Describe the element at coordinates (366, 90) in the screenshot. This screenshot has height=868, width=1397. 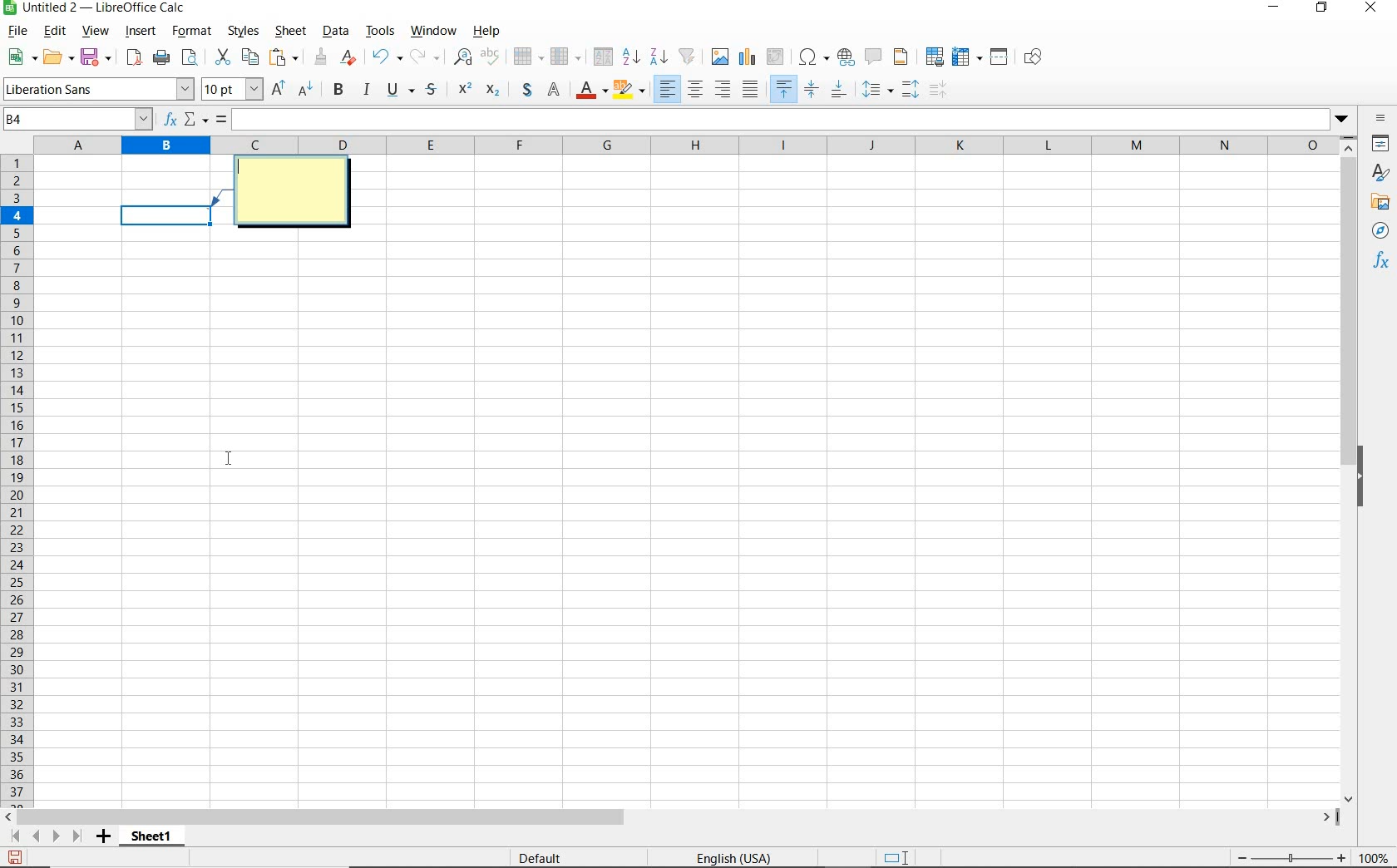
I see `italic` at that location.